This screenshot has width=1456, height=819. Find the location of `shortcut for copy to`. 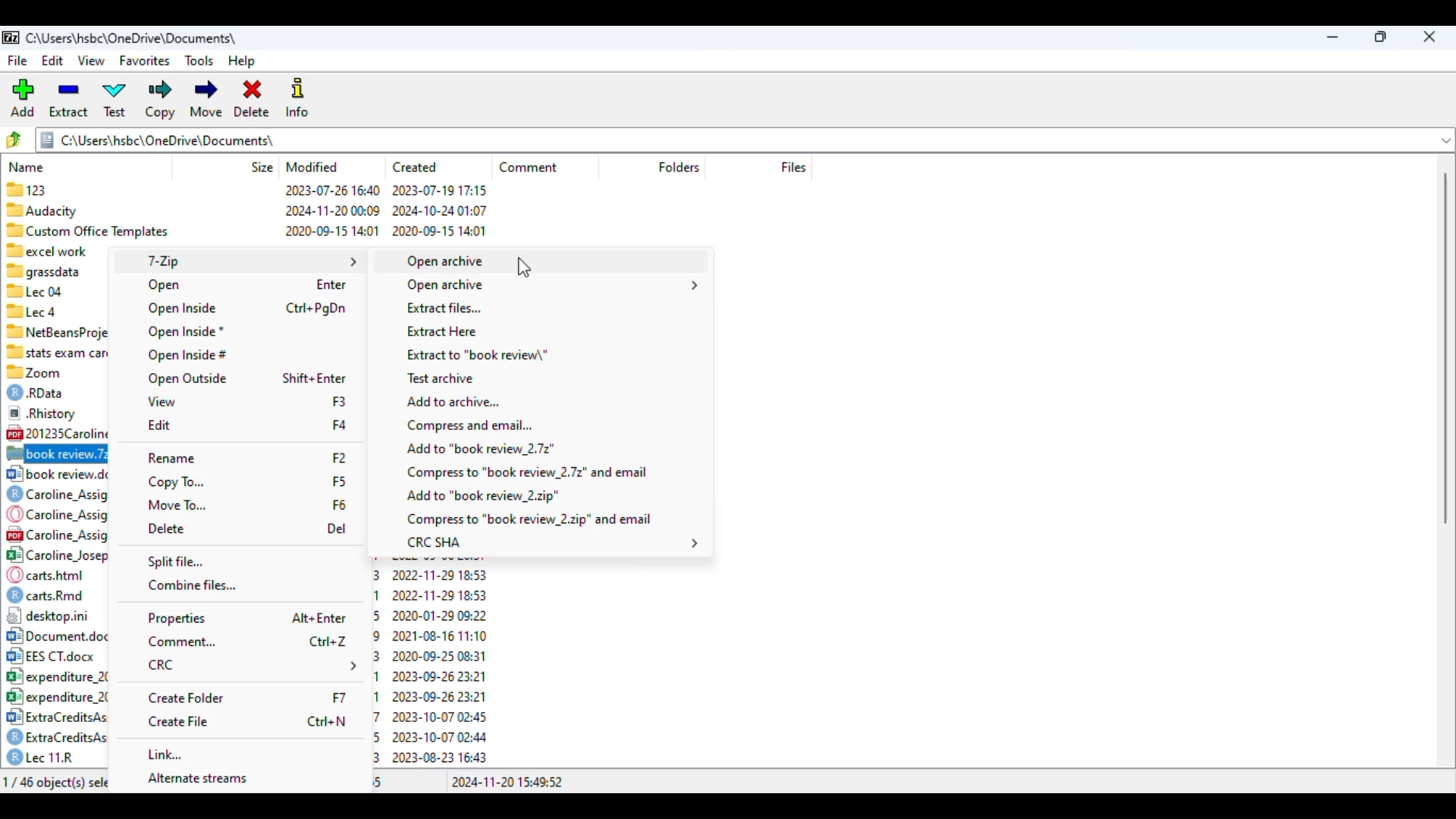

shortcut for copy to is located at coordinates (340, 482).